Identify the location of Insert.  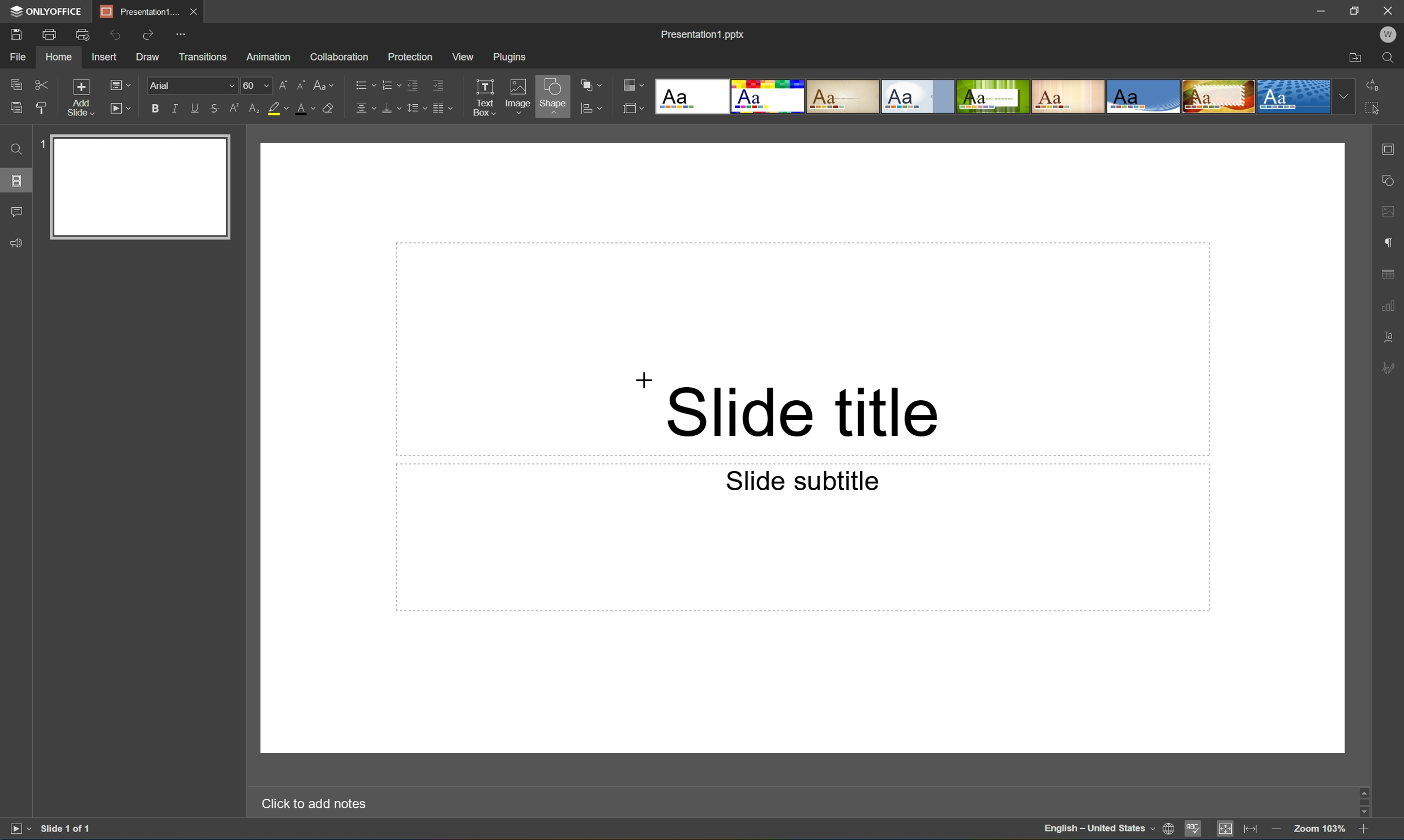
(106, 58).